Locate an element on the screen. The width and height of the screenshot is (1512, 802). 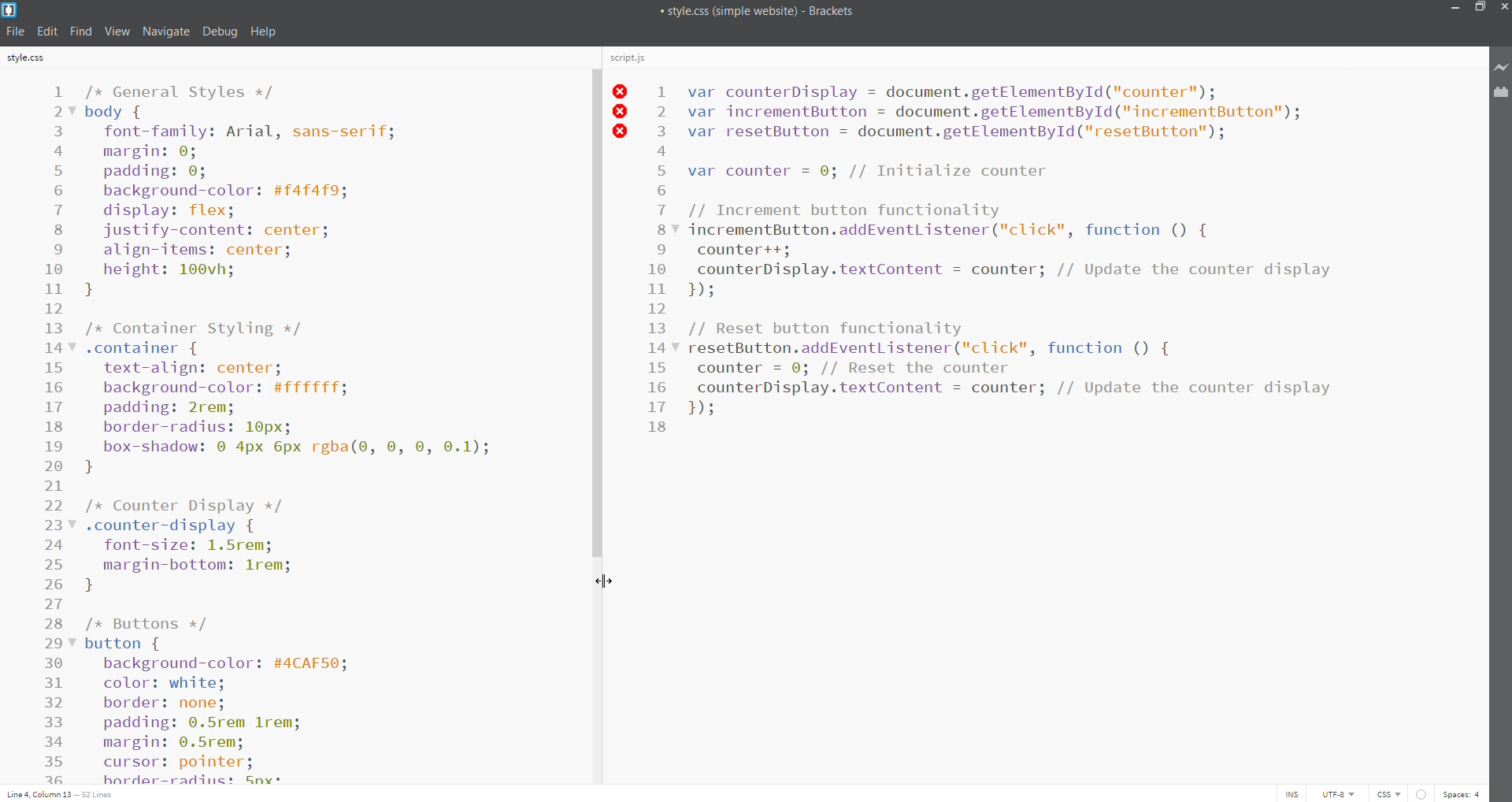
maximize/restore is located at coordinates (1479, 9).